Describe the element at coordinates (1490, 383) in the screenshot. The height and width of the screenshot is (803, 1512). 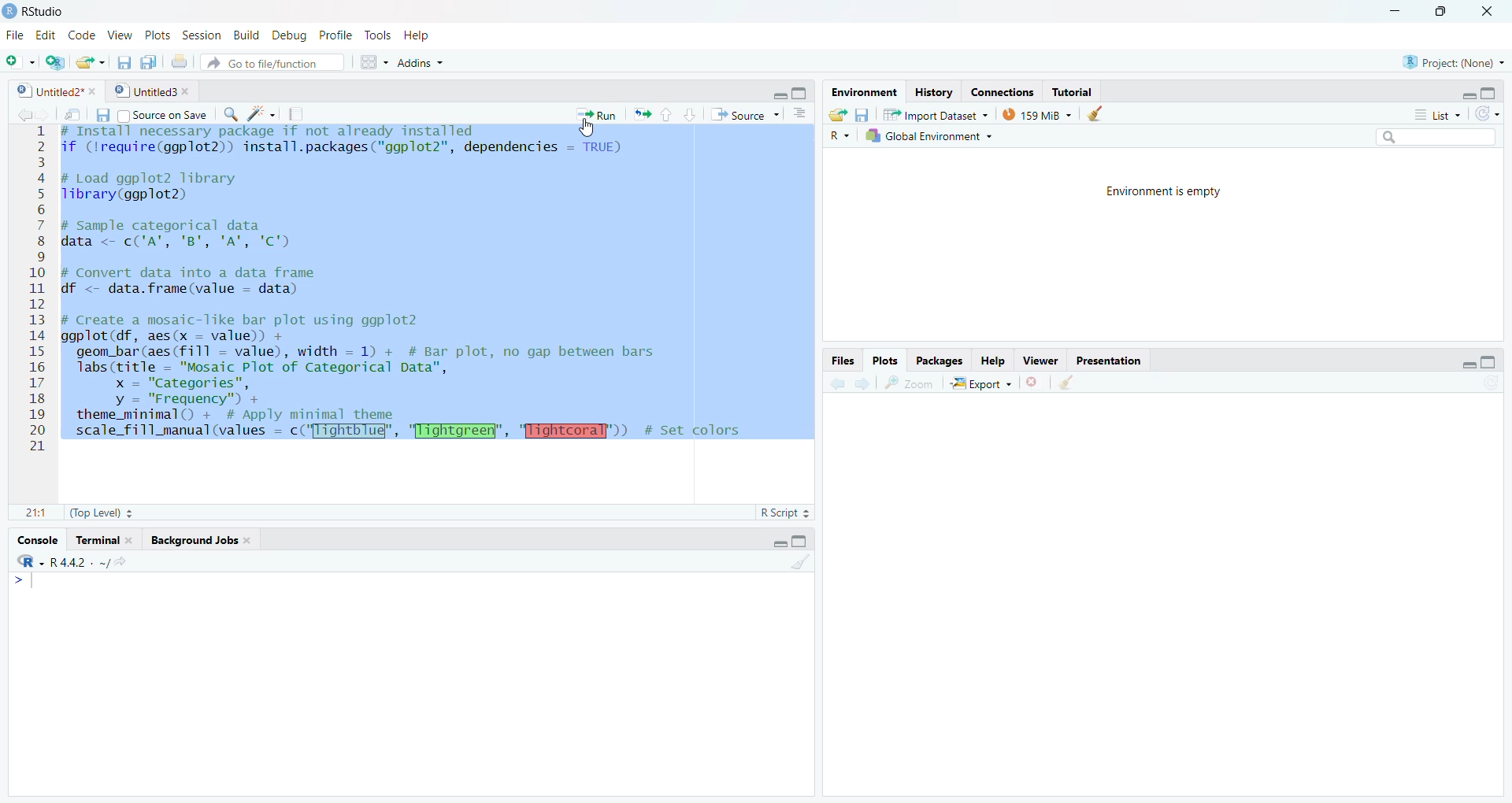
I see `Refresh` at that location.